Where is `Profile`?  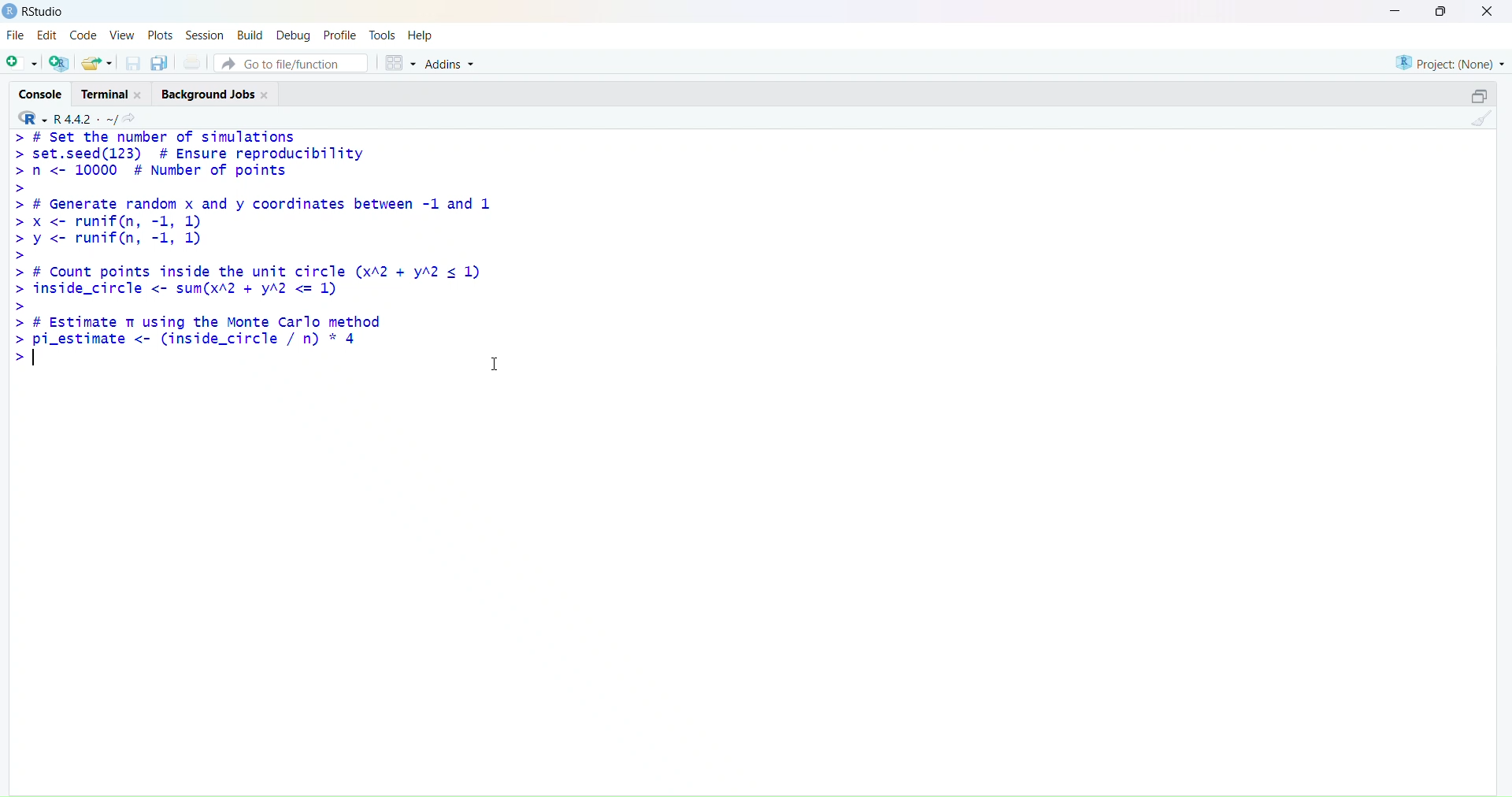
Profile is located at coordinates (343, 33).